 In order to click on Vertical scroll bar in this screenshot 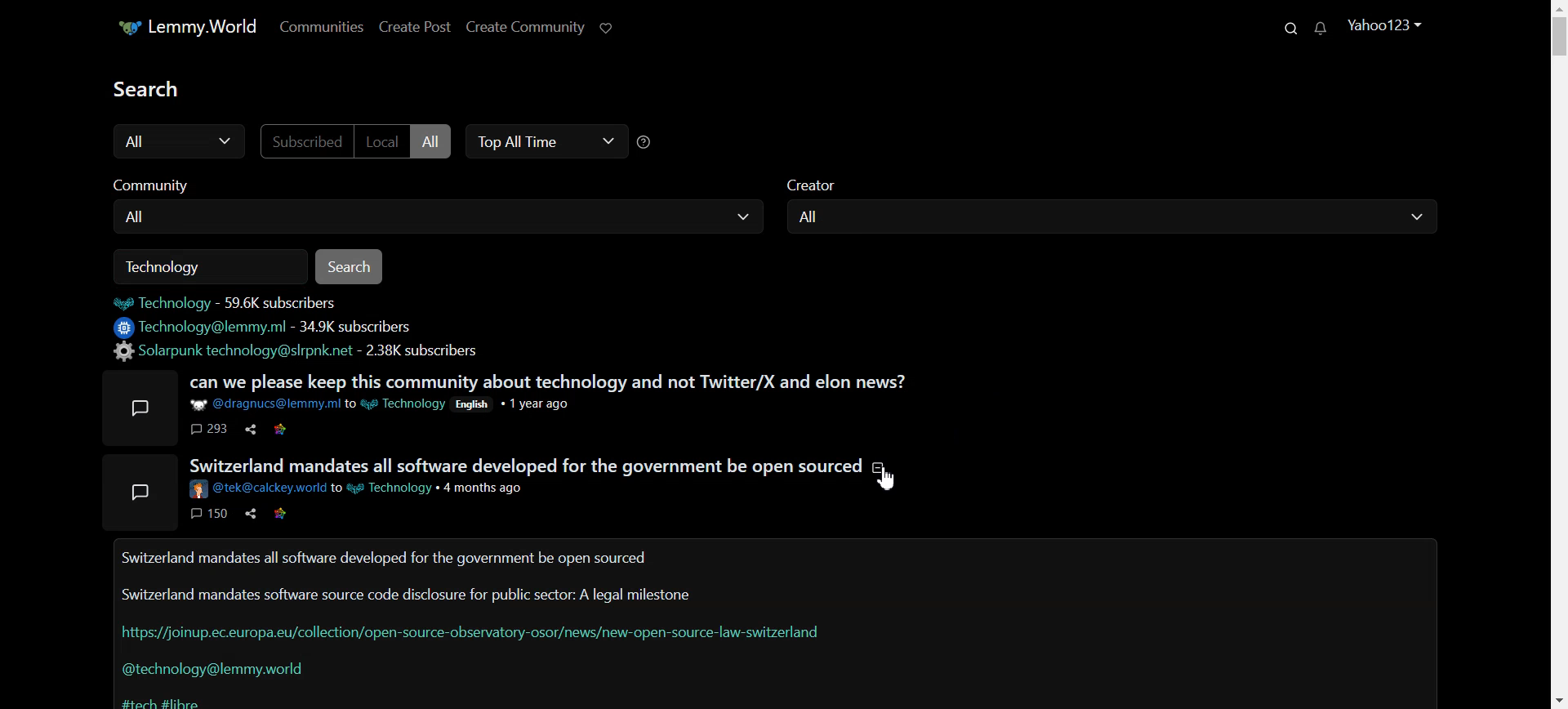, I will do `click(1558, 354)`.